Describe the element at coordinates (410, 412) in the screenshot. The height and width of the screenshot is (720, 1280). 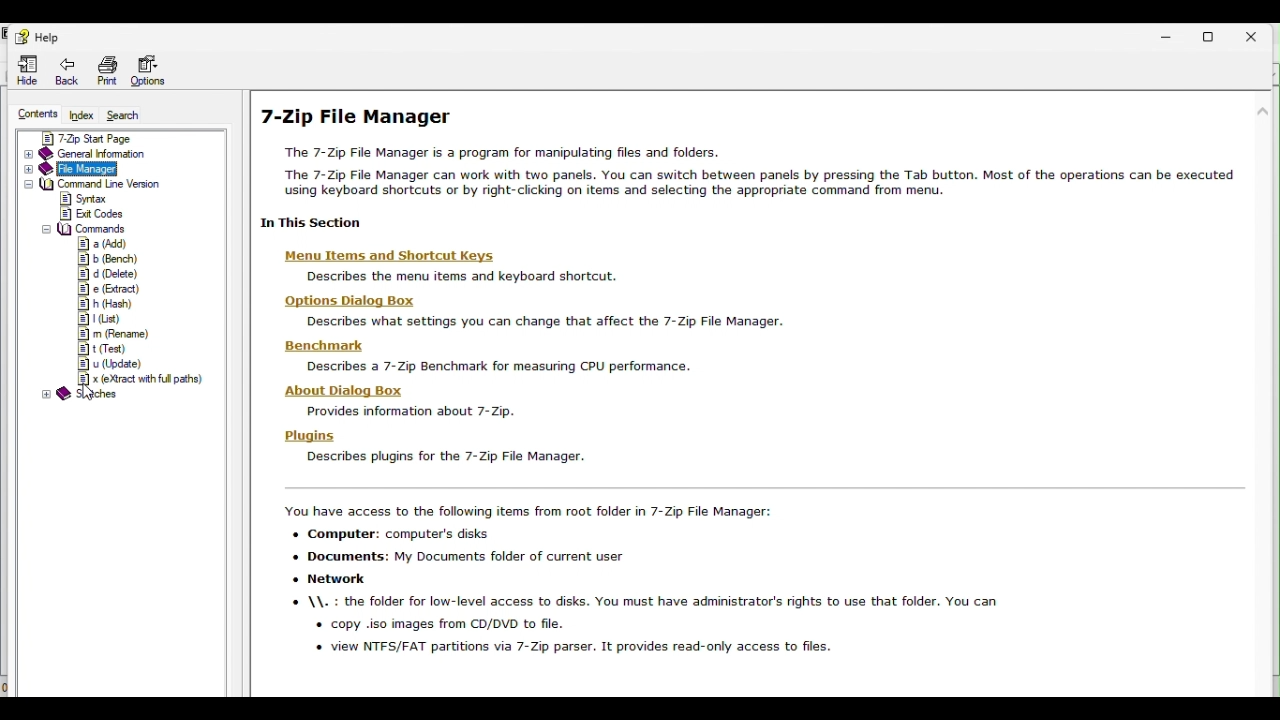
I see `Provides information about 7-Zip.` at that location.